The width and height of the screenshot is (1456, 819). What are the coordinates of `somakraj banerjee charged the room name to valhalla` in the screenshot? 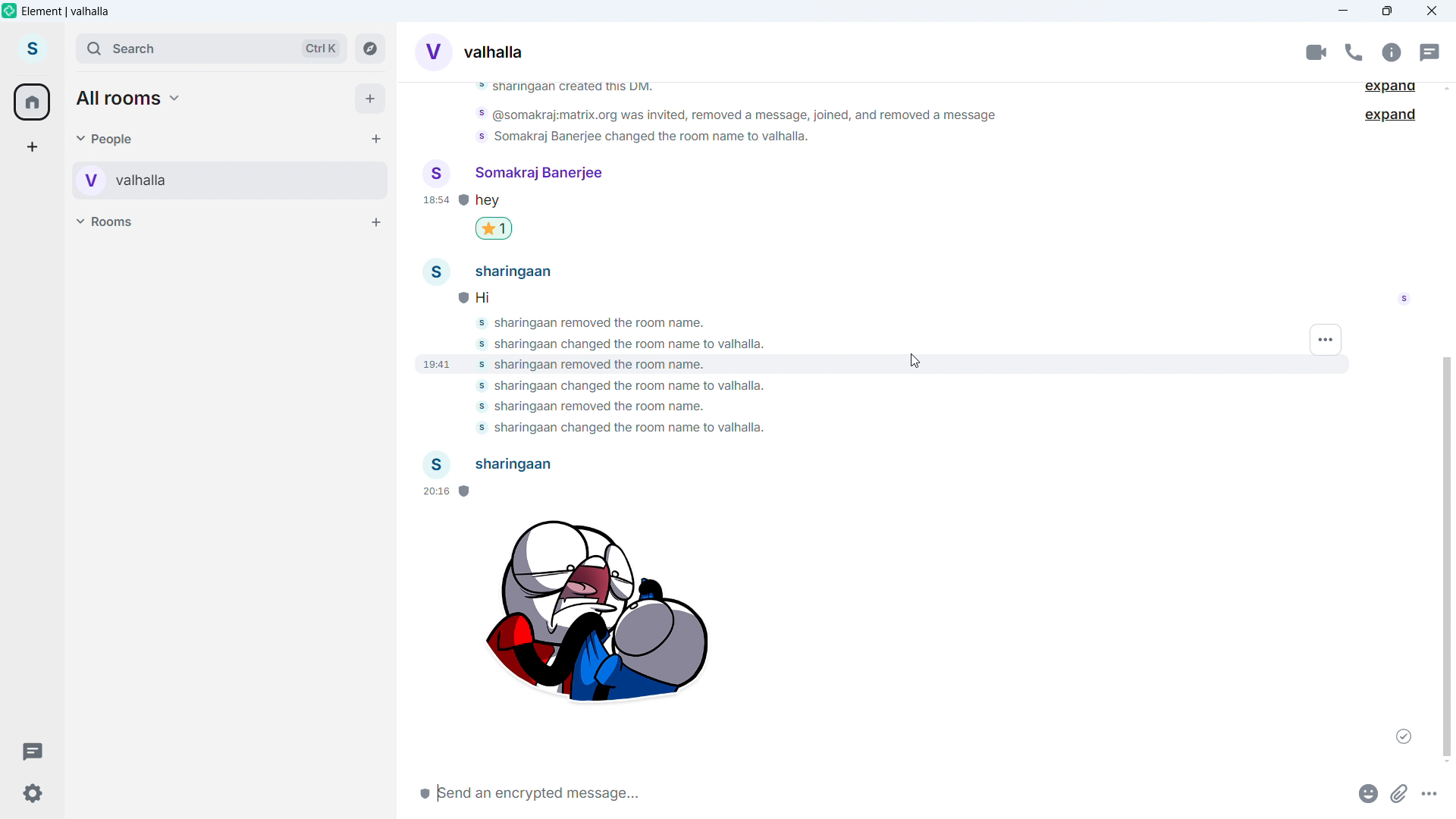 It's located at (635, 345).